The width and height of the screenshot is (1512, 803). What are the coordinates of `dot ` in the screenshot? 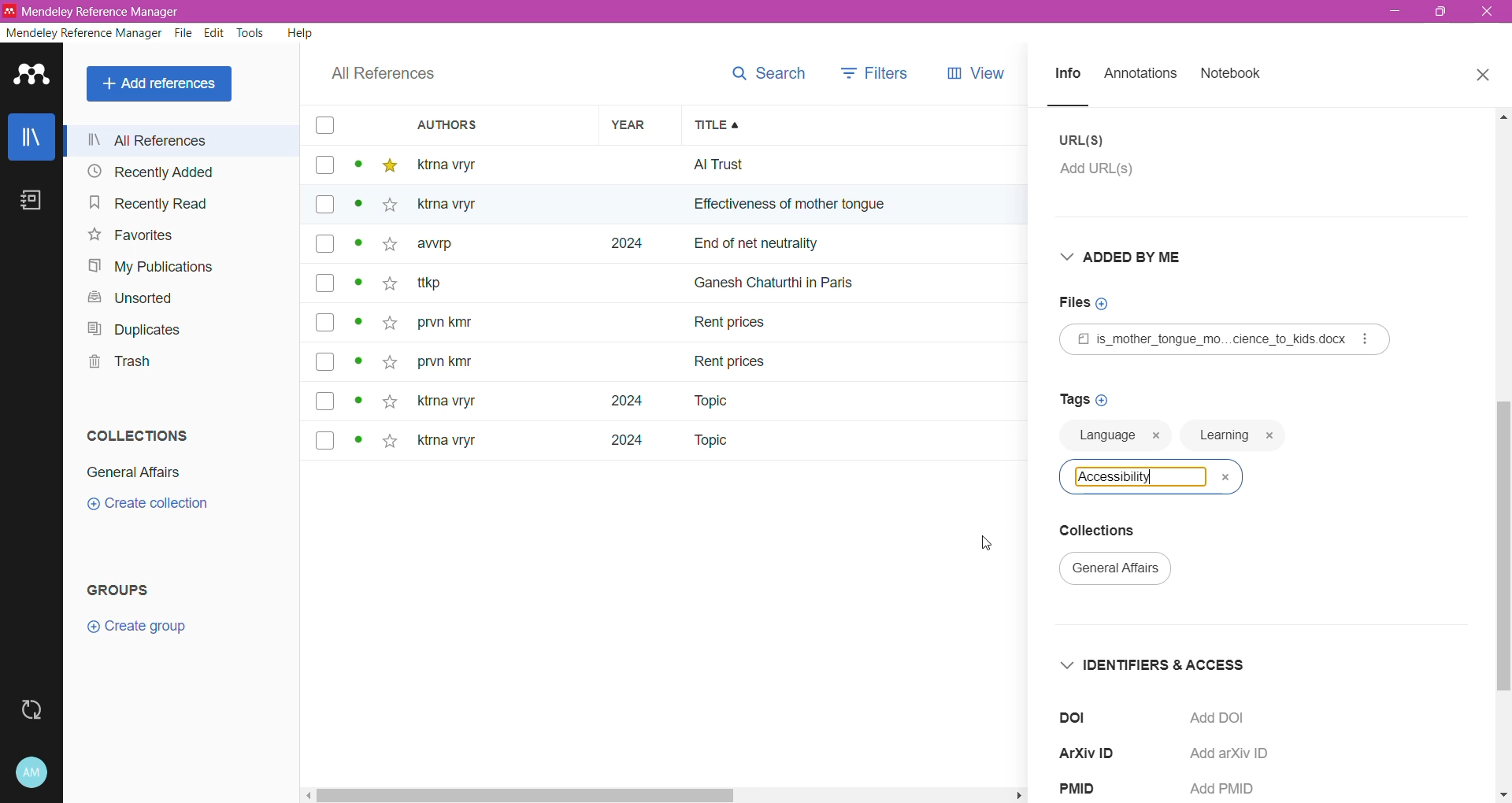 It's located at (358, 366).